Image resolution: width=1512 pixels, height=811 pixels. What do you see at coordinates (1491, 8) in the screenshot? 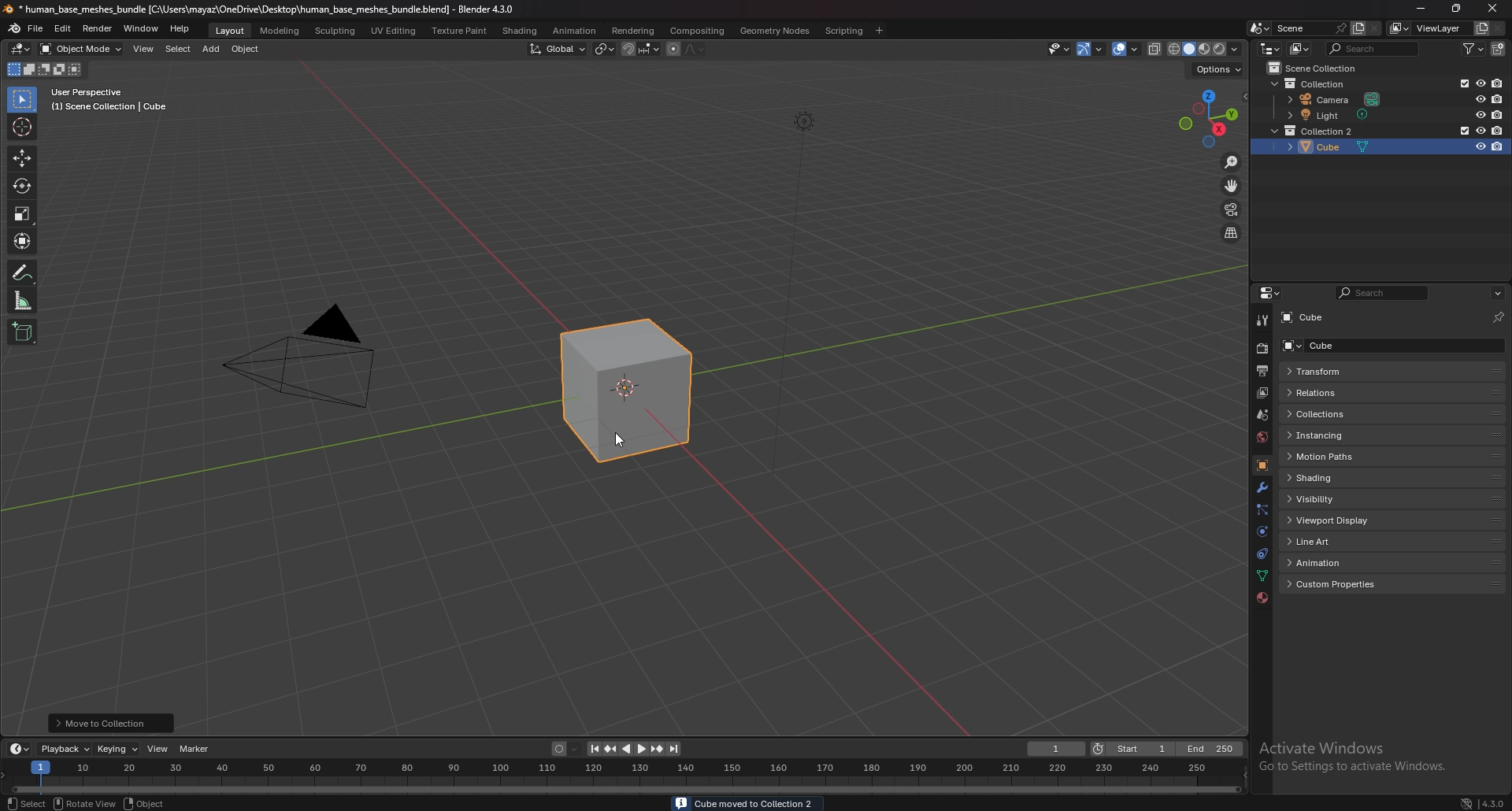
I see `close` at bounding box center [1491, 8].